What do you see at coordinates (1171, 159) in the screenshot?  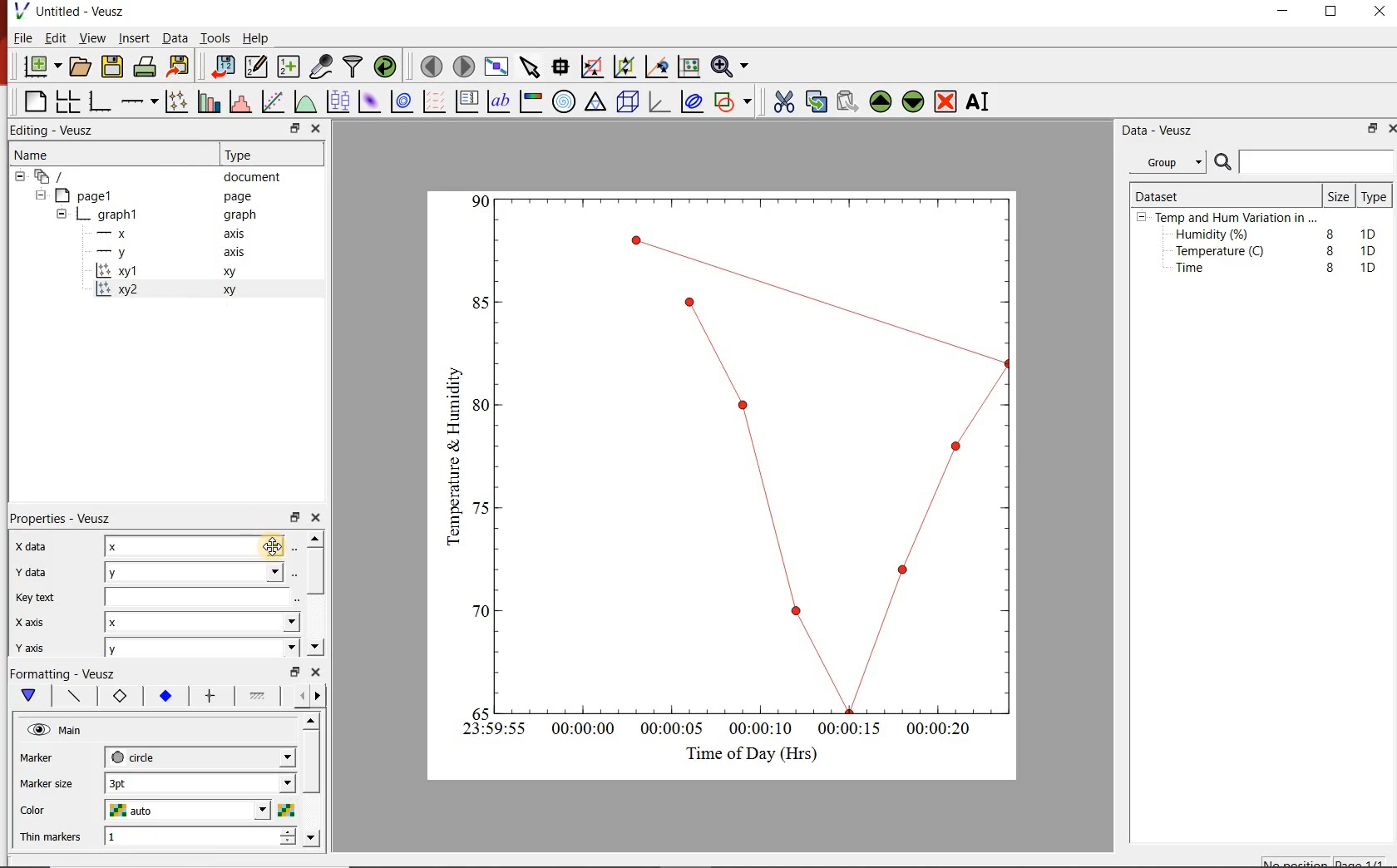 I see `Group.` at bounding box center [1171, 159].